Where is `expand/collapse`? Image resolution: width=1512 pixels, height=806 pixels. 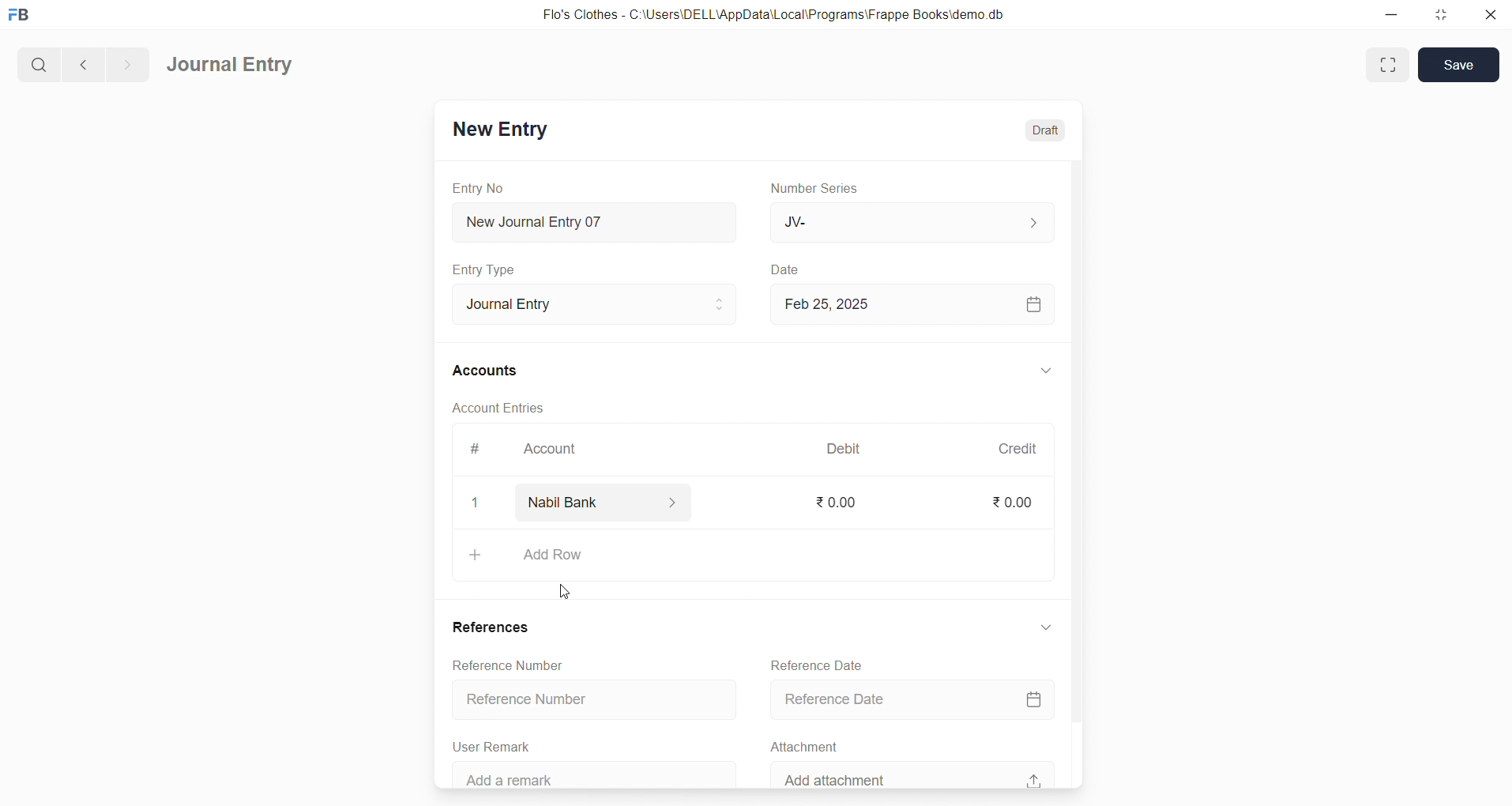
expand/collapse is located at coordinates (1045, 371).